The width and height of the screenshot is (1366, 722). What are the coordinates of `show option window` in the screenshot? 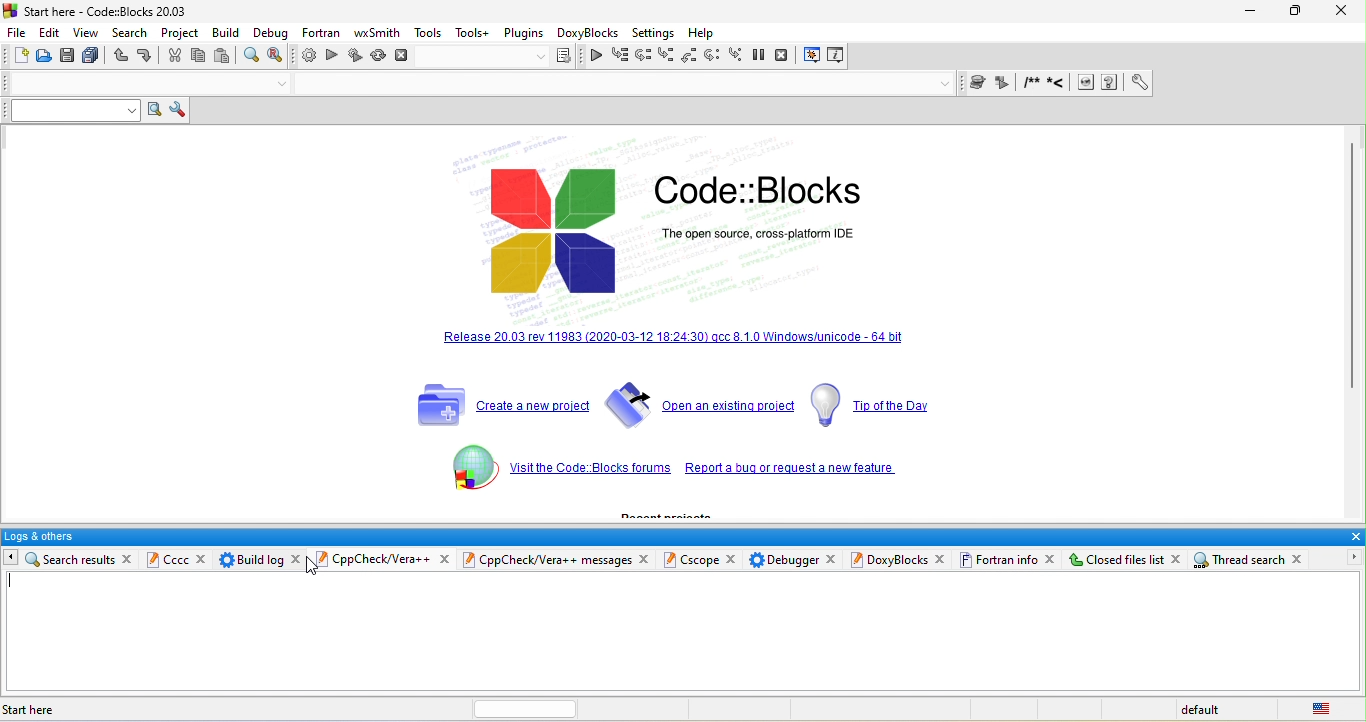 It's located at (178, 111).